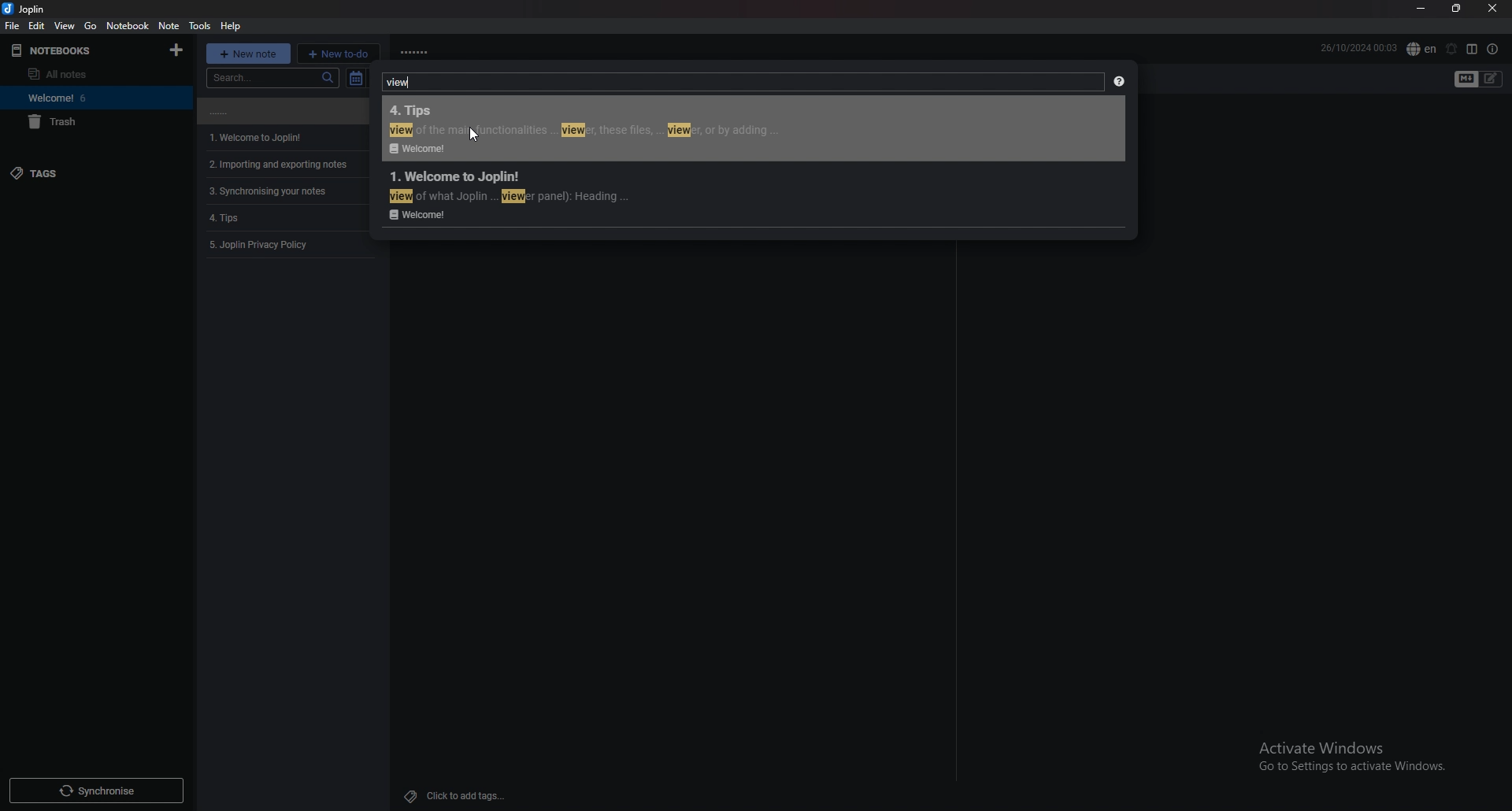  What do you see at coordinates (87, 173) in the screenshot?
I see `tags` at bounding box center [87, 173].